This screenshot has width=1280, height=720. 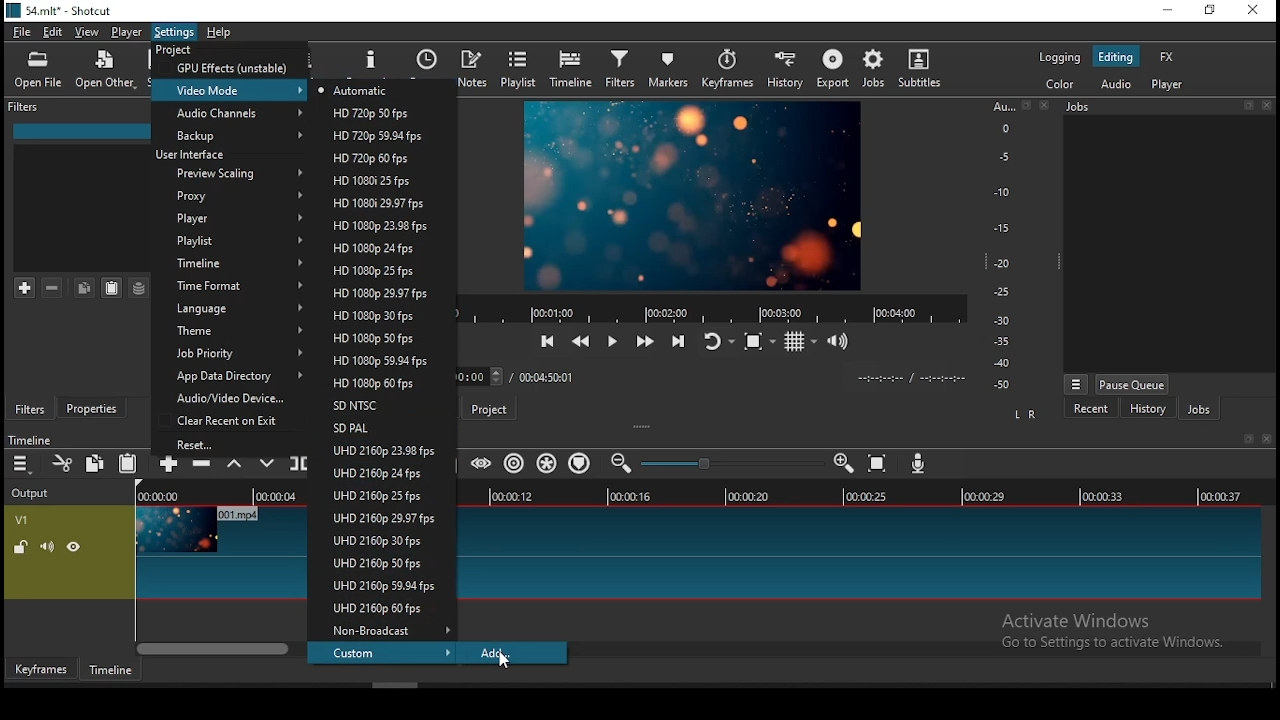 What do you see at coordinates (515, 463) in the screenshot?
I see `ripple` at bounding box center [515, 463].